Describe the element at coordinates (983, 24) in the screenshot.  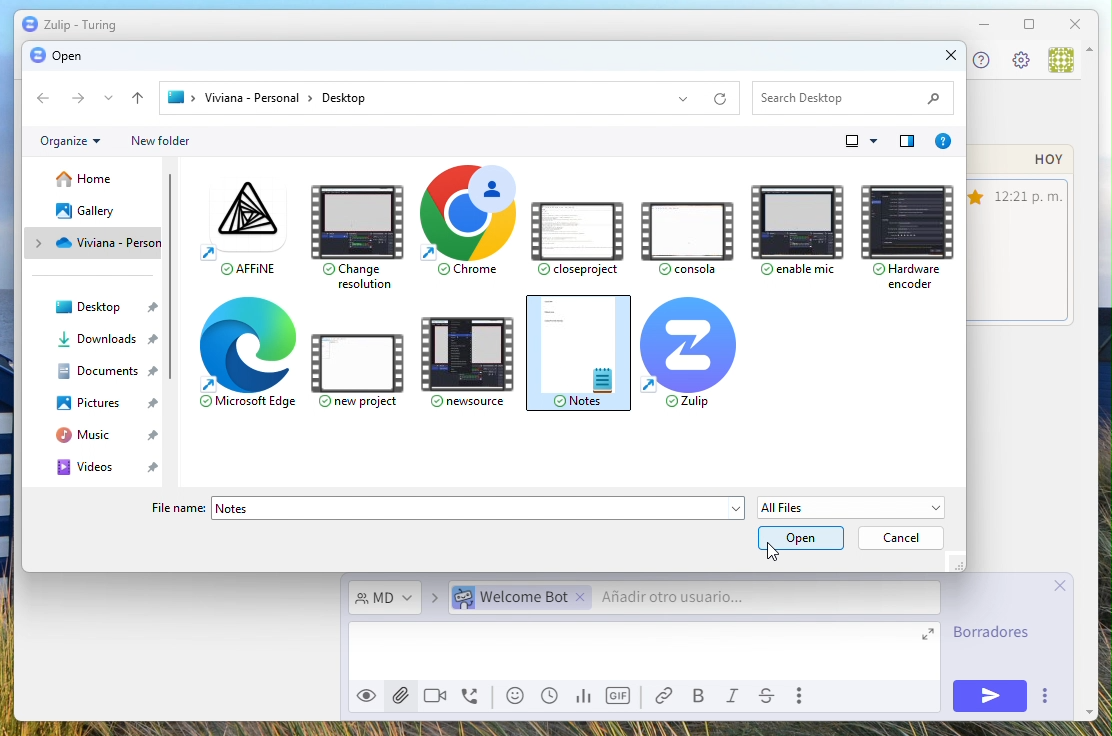
I see `Minimize` at that location.